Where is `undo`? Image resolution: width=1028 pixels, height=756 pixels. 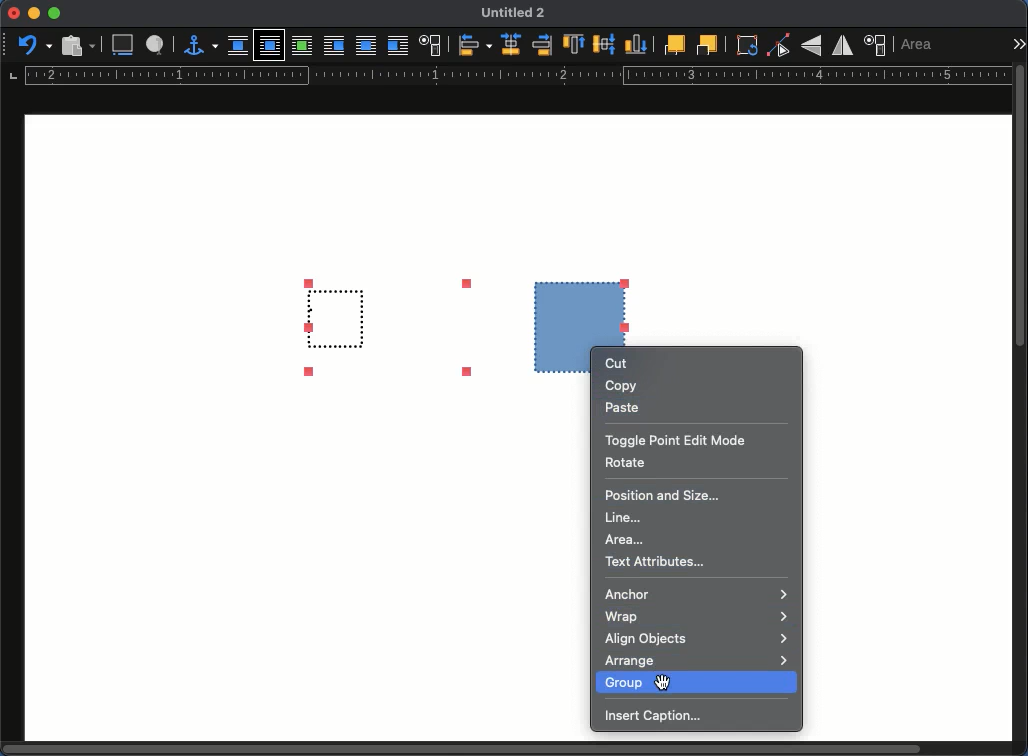
undo is located at coordinates (35, 45).